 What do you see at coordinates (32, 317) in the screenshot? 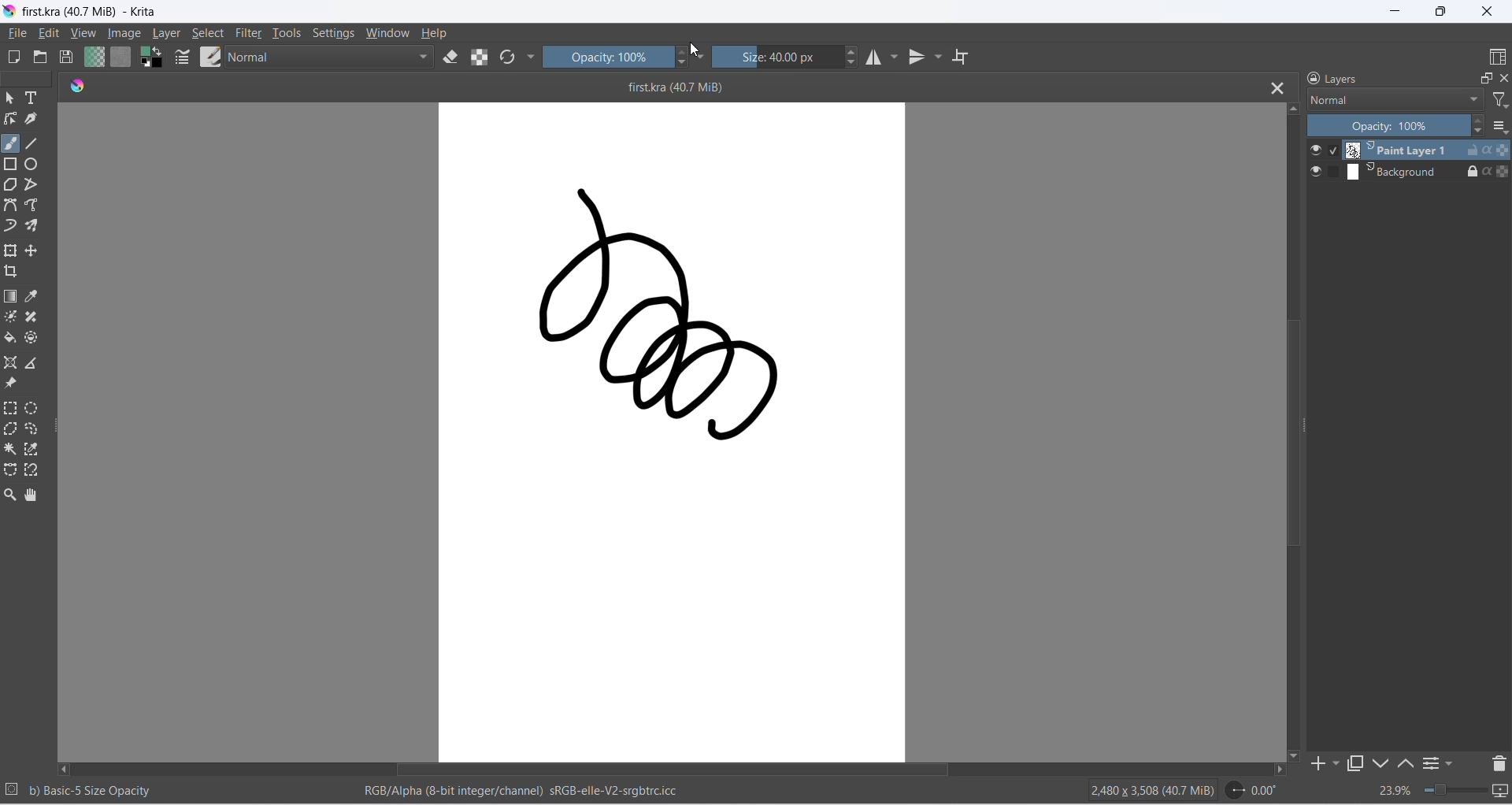
I see `smart patch tool` at bounding box center [32, 317].